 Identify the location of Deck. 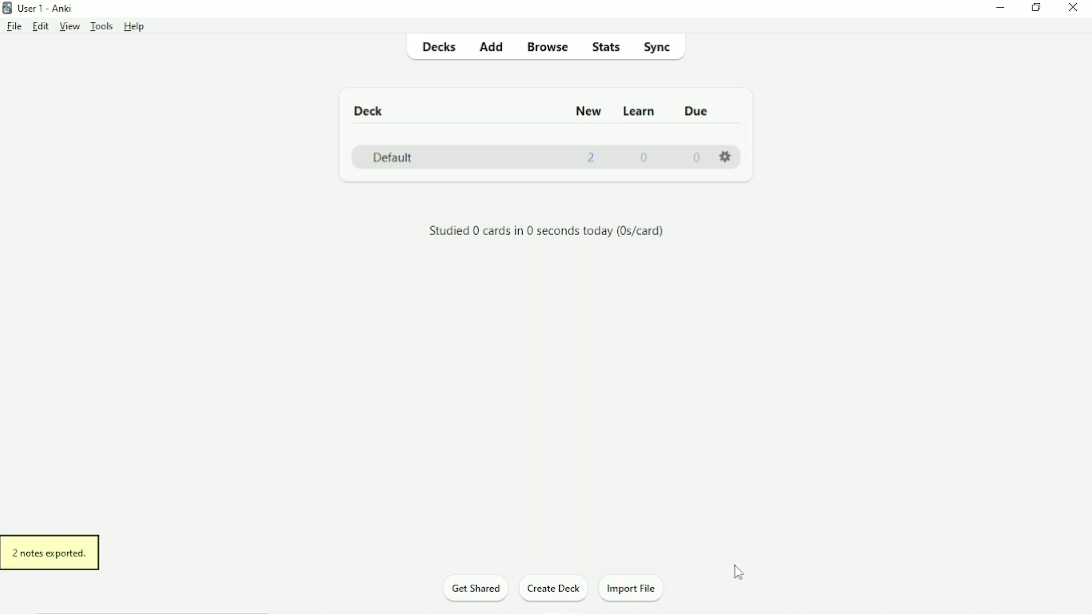
(370, 111).